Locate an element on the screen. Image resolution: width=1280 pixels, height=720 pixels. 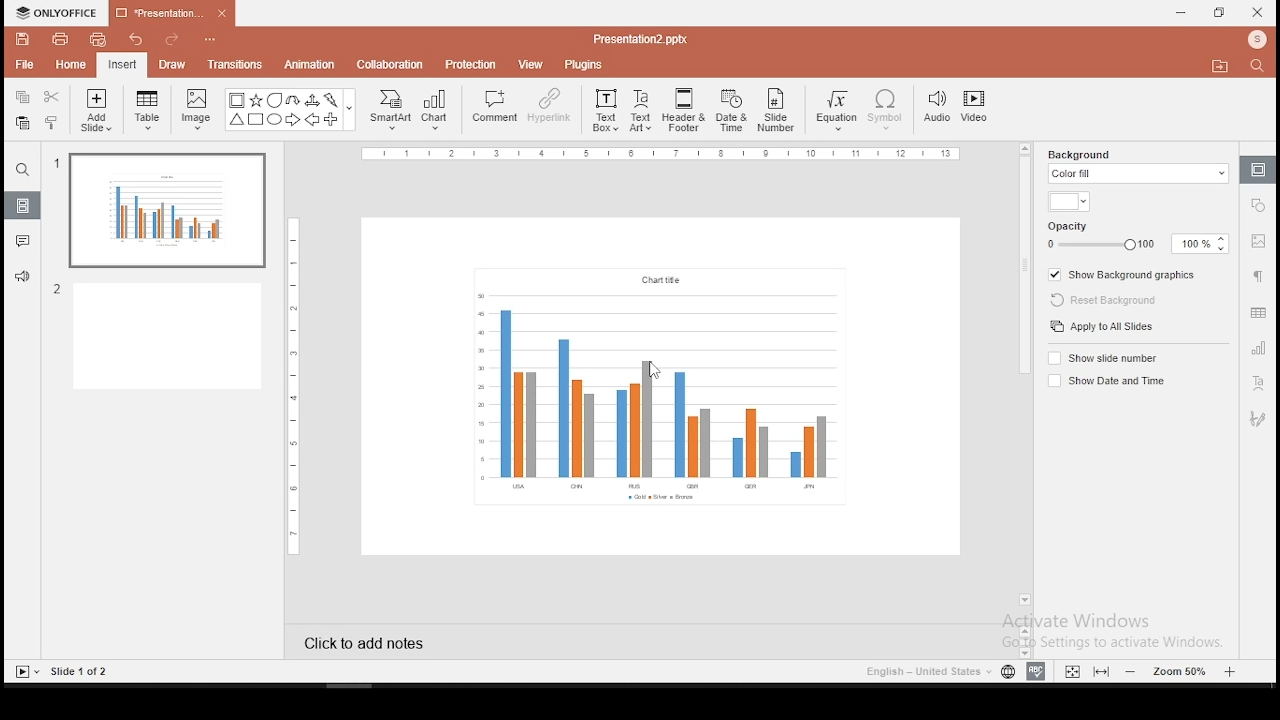
plugins is located at coordinates (582, 64).